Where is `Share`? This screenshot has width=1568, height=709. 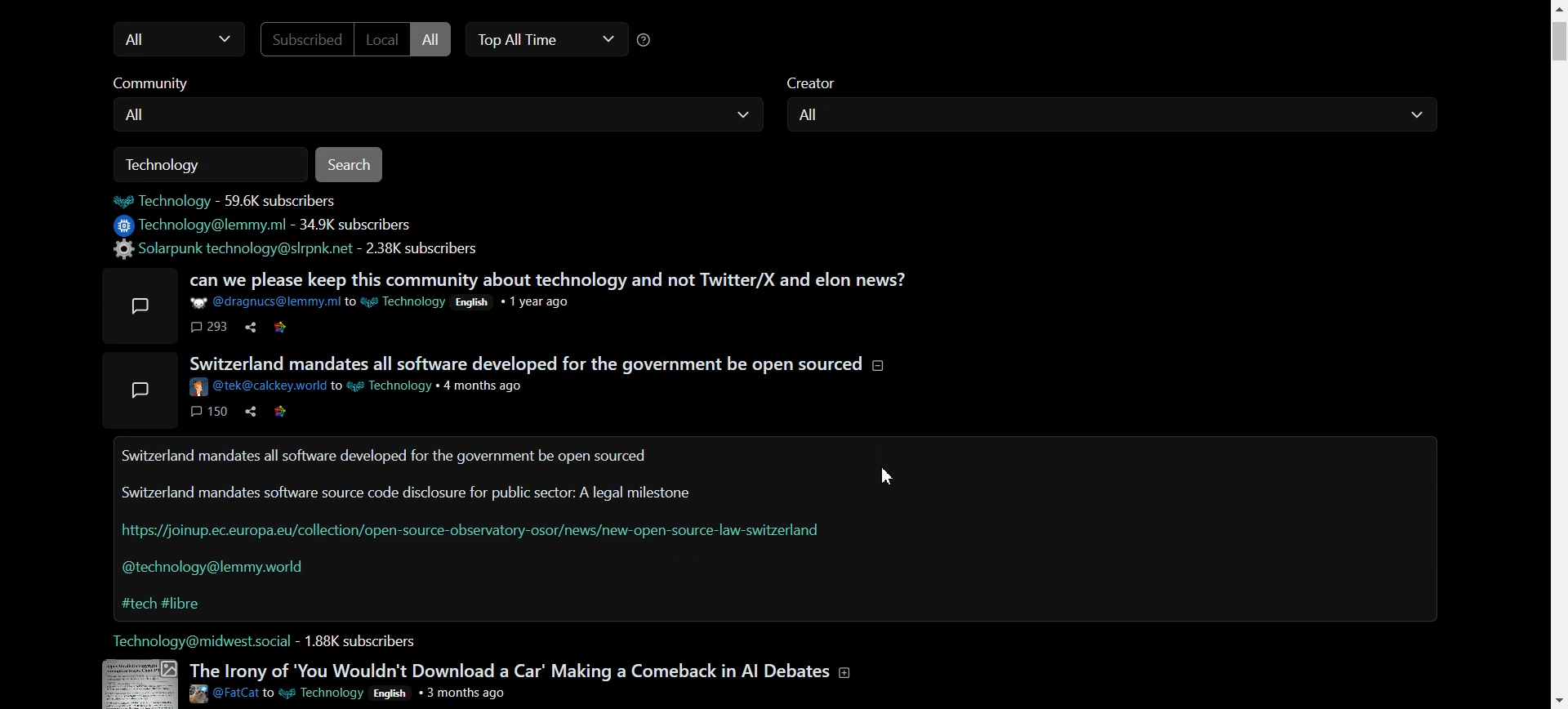
Share is located at coordinates (248, 410).